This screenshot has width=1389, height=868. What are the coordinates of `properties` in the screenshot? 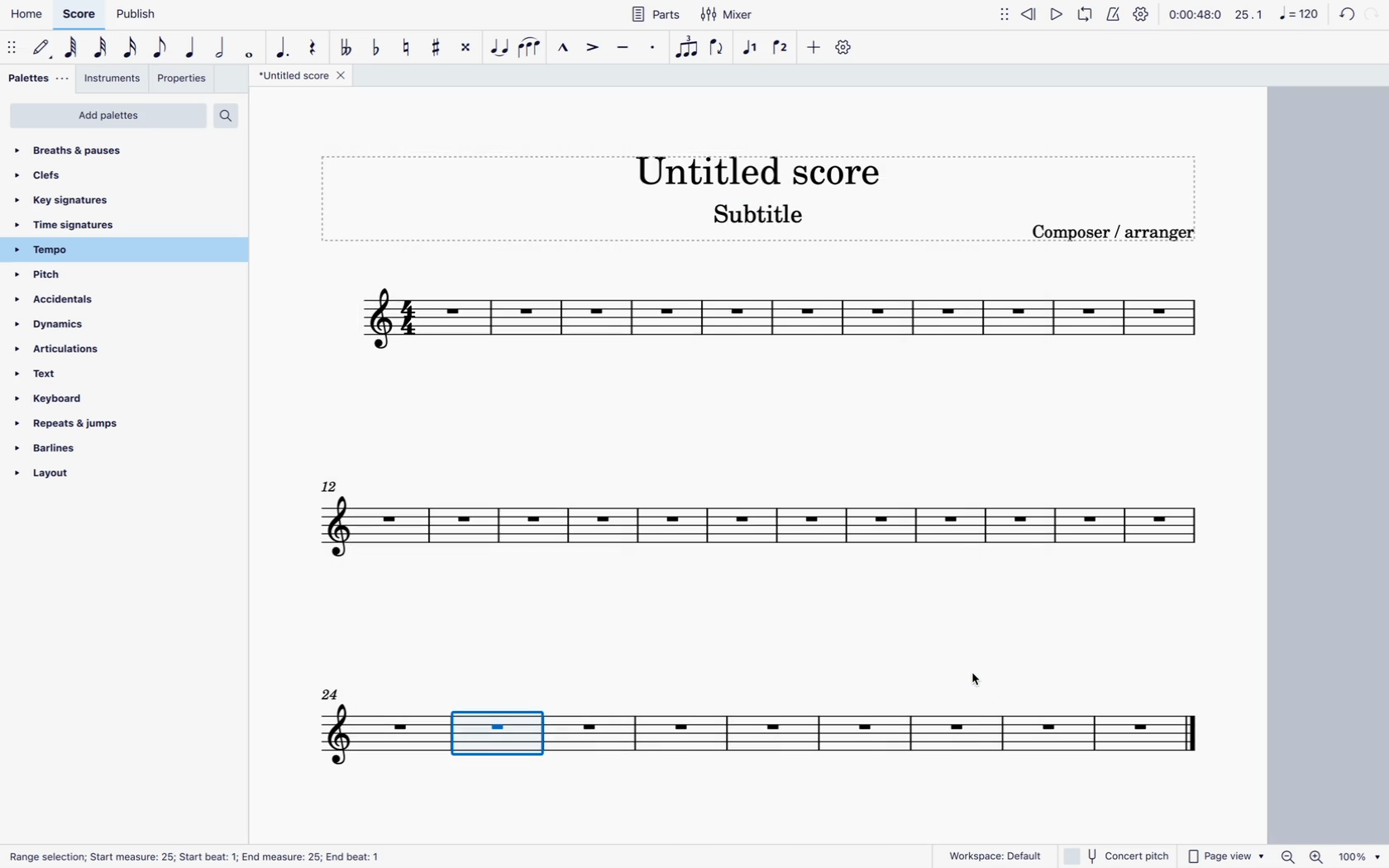 It's located at (184, 78).